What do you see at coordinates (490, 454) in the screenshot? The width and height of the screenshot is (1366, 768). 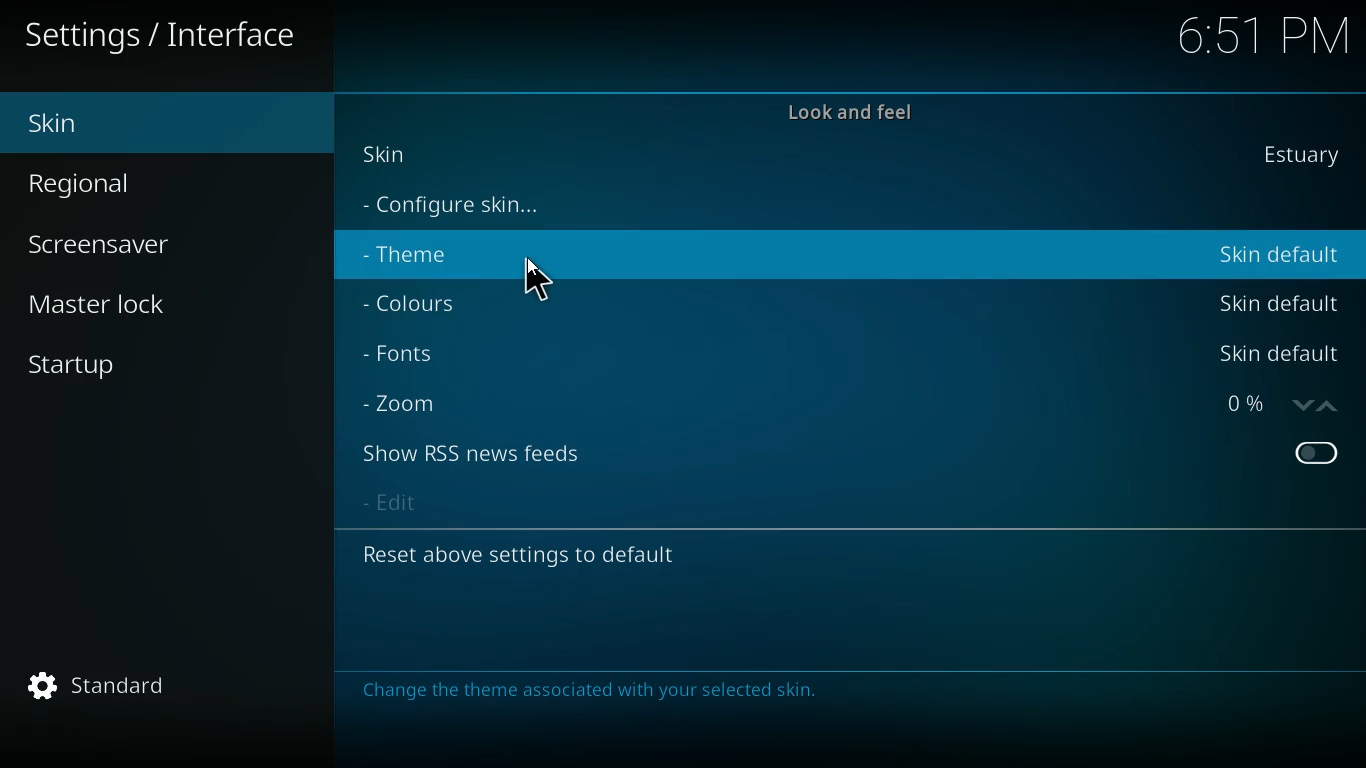 I see `show rss` at bounding box center [490, 454].